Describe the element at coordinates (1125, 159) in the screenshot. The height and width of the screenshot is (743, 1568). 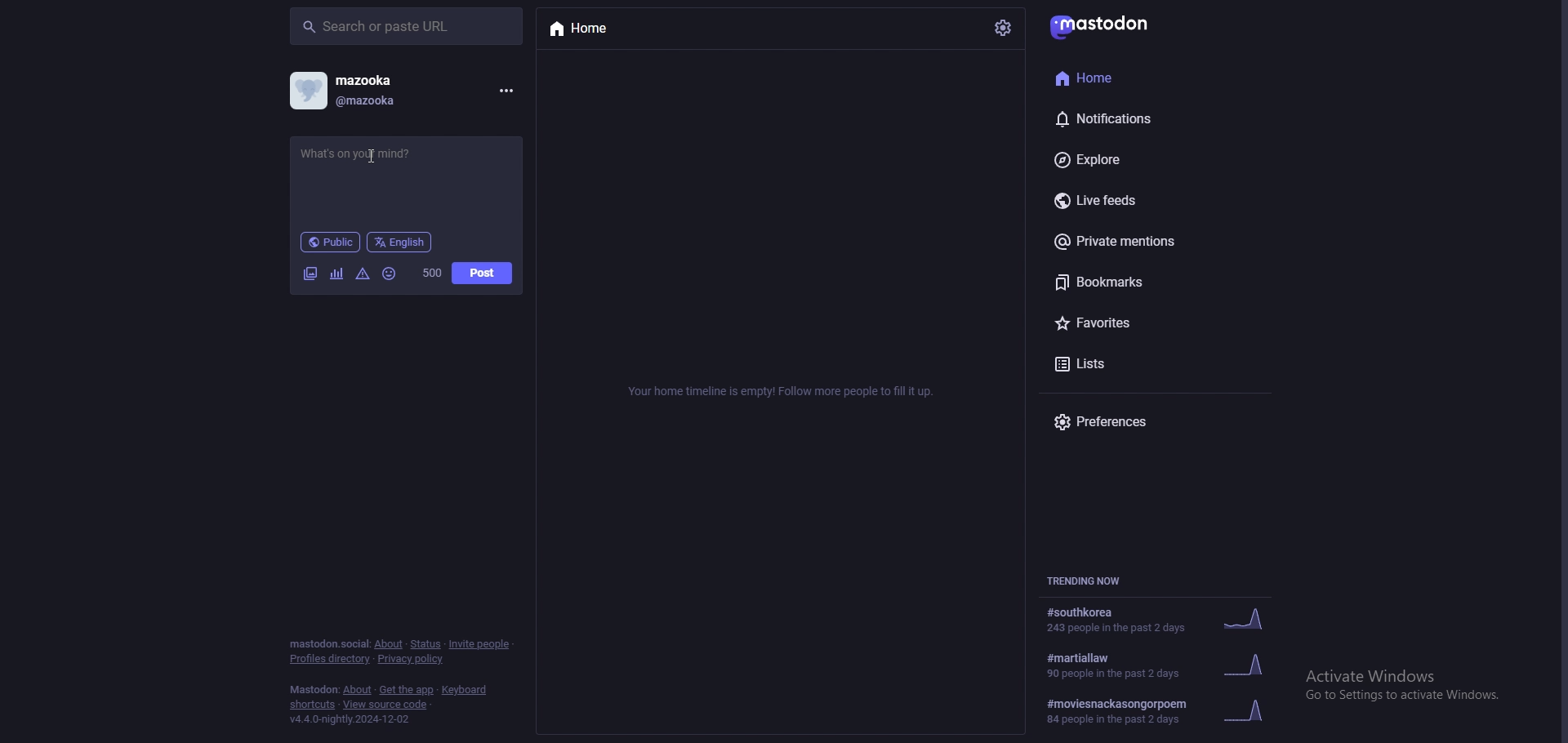
I see `explore` at that location.